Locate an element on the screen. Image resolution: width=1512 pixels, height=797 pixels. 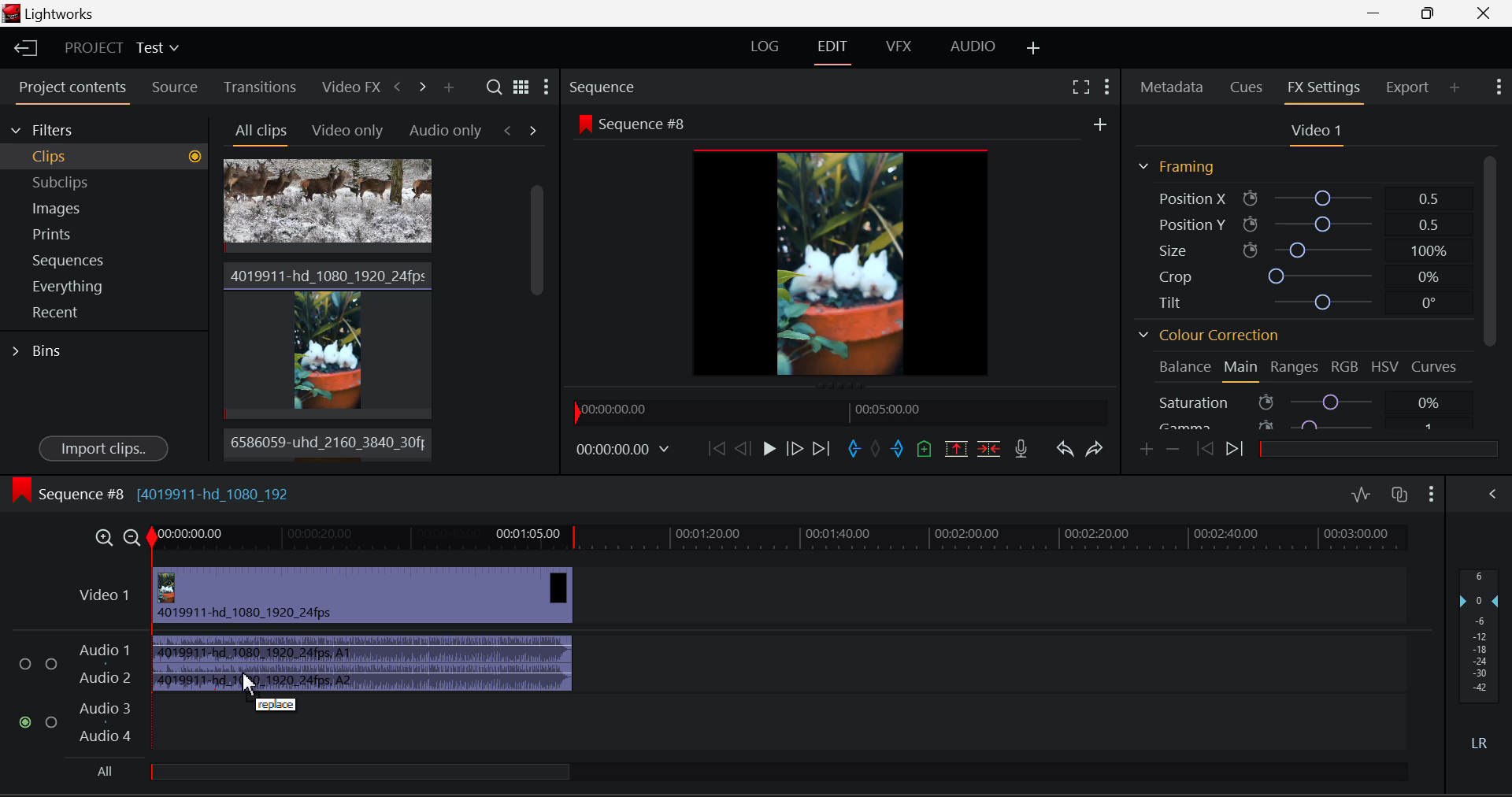
Metadata is located at coordinates (1173, 86).